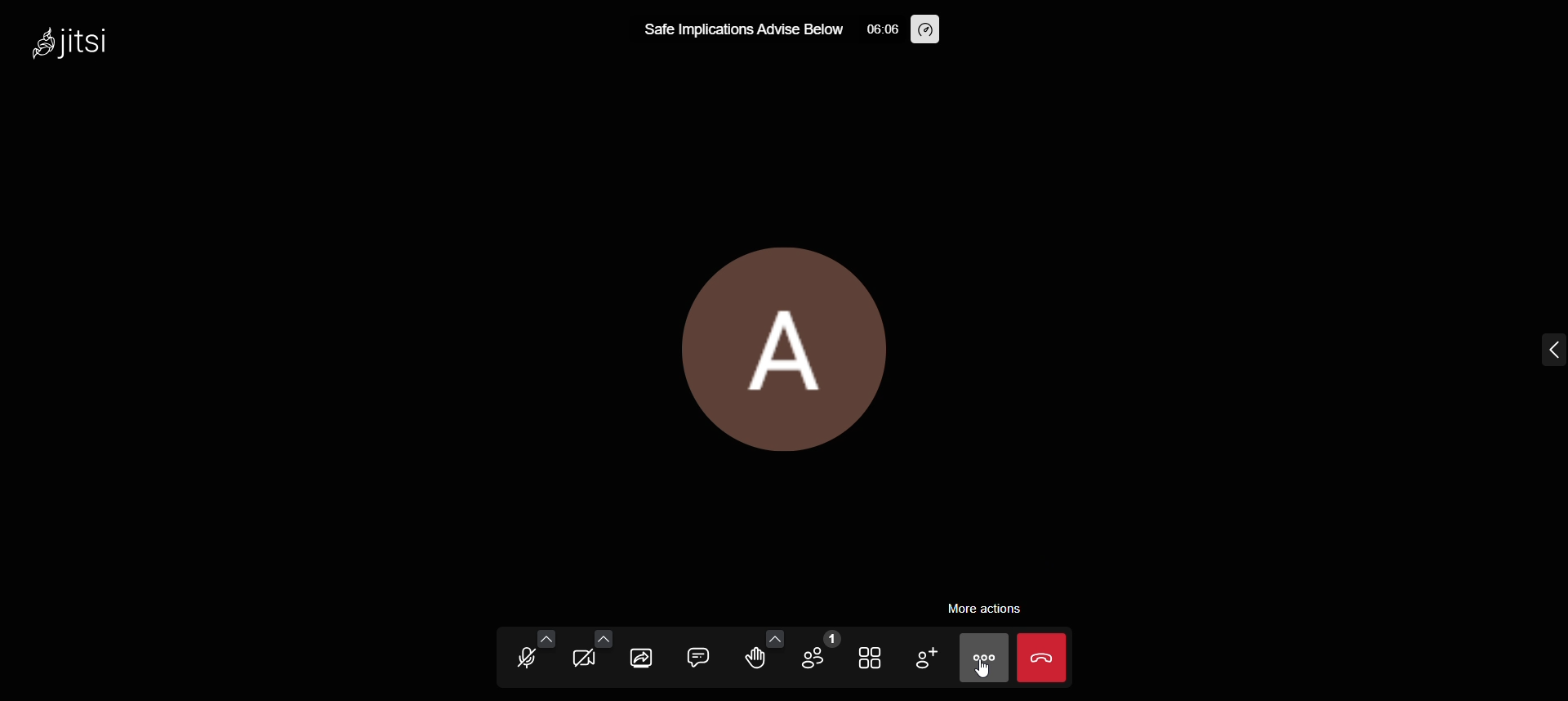 Image resolution: width=1568 pixels, height=701 pixels. What do you see at coordinates (986, 679) in the screenshot?
I see `cursor` at bounding box center [986, 679].